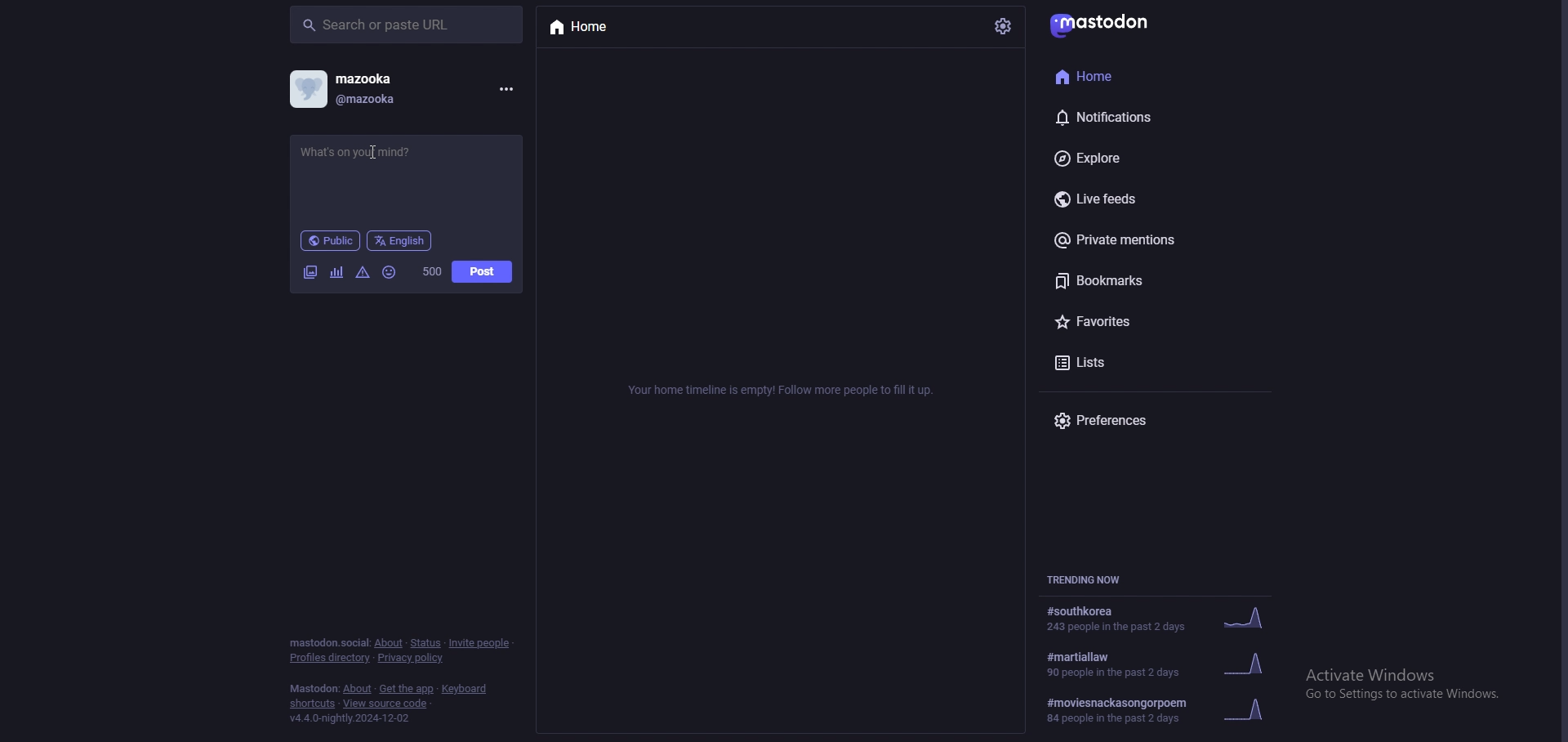  What do you see at coordinates (595, 28) in the screenshot?
I see `home` at bounding box center [595, 28].